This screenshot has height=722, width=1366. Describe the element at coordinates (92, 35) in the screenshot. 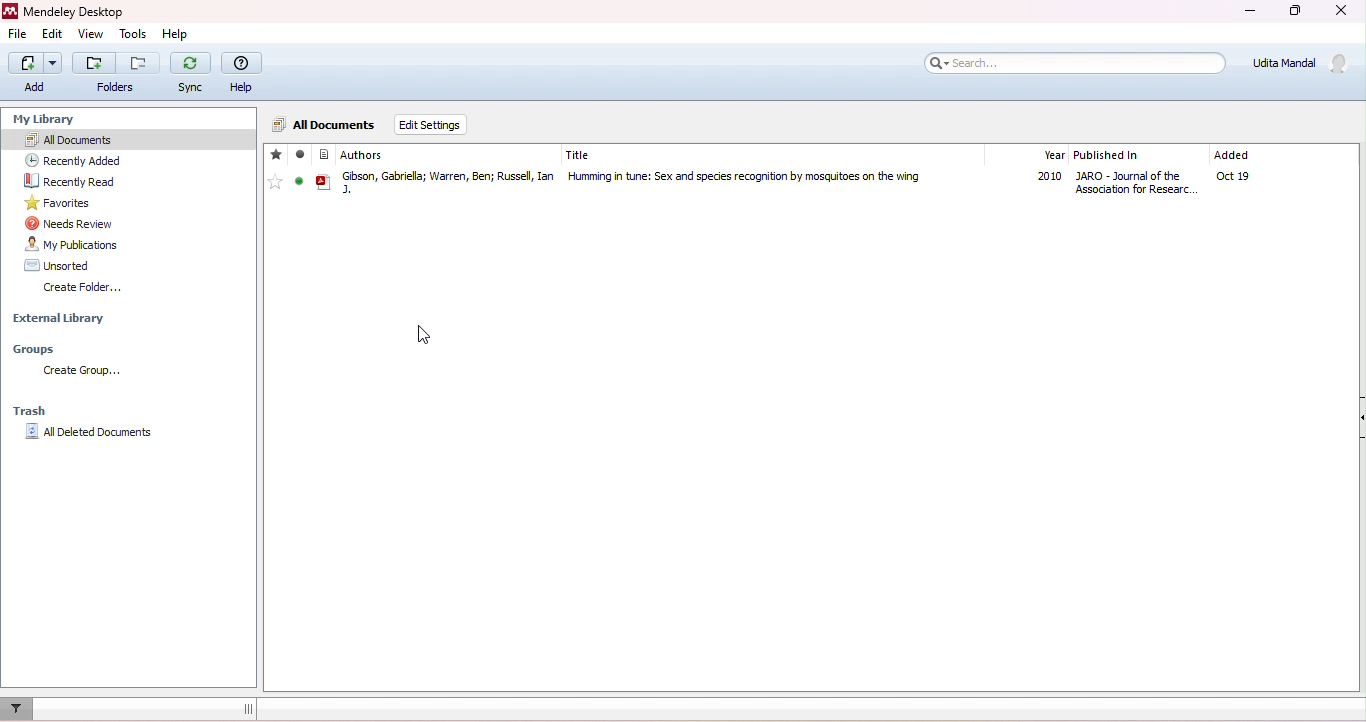

I see `view` at that location.